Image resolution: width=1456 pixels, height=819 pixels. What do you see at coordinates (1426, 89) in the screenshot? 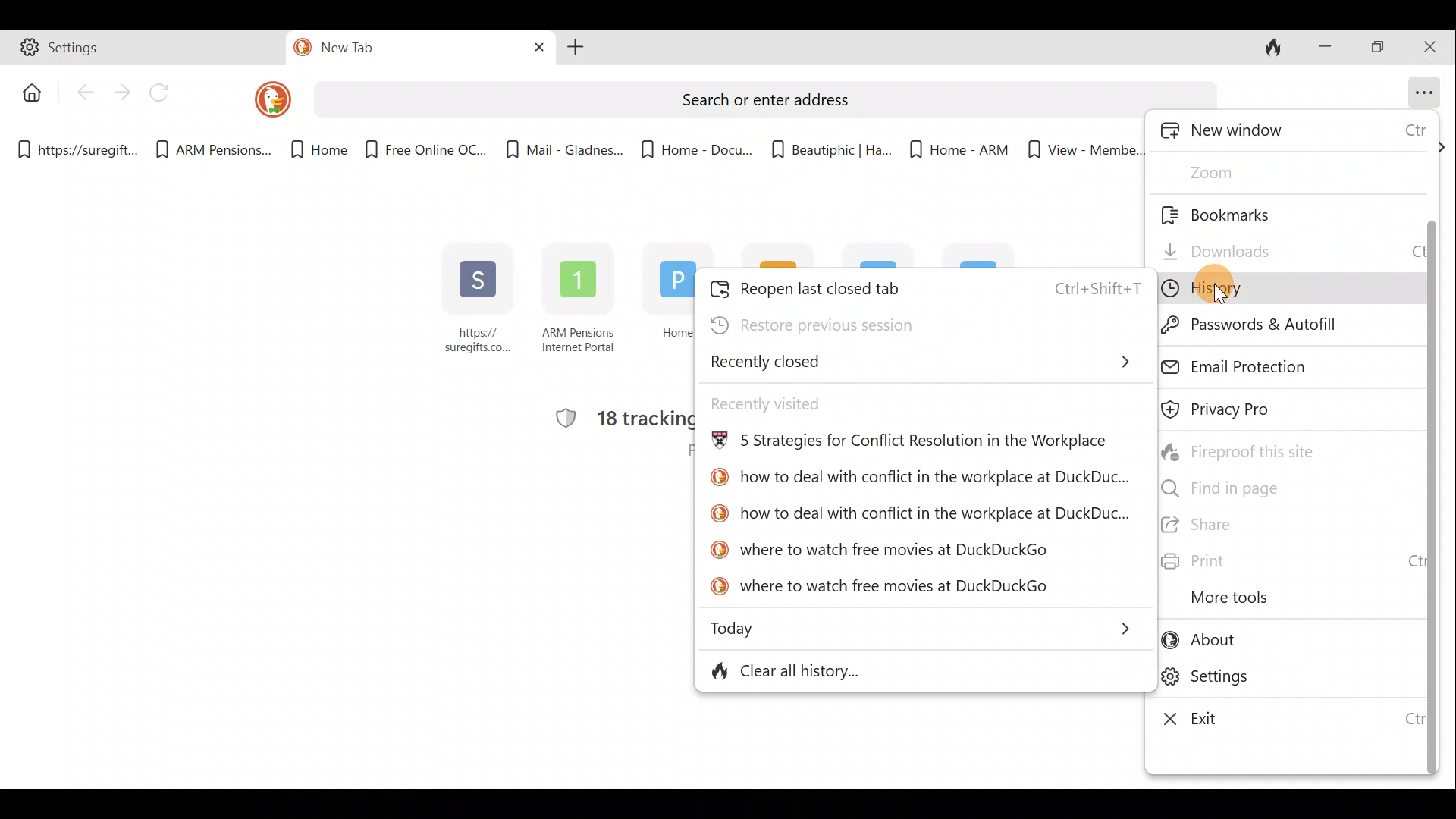
I see `Application menu` at bounding box center [1426, 89].